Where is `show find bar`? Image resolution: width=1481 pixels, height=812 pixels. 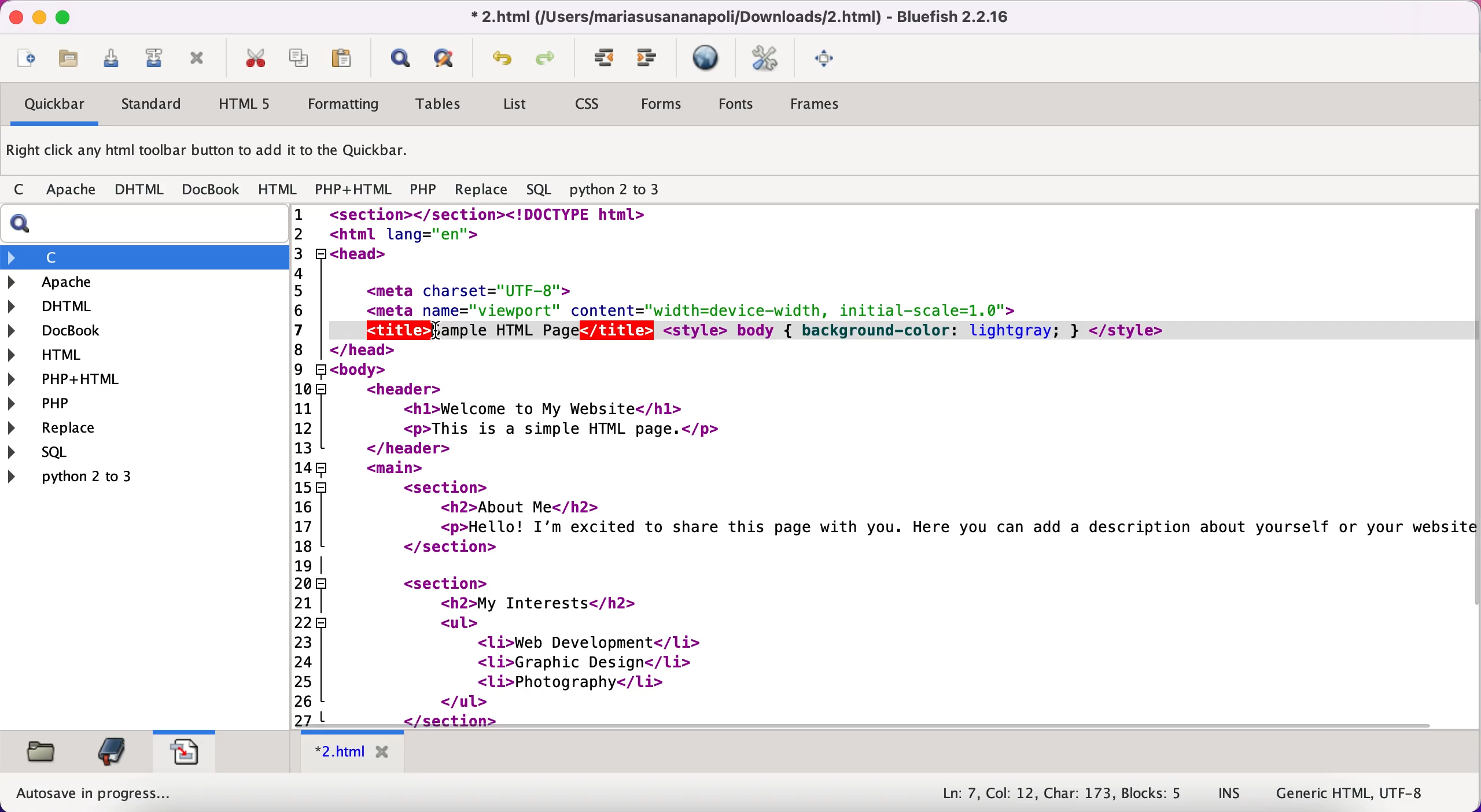
show find bar is located at coordinates (400, 60).